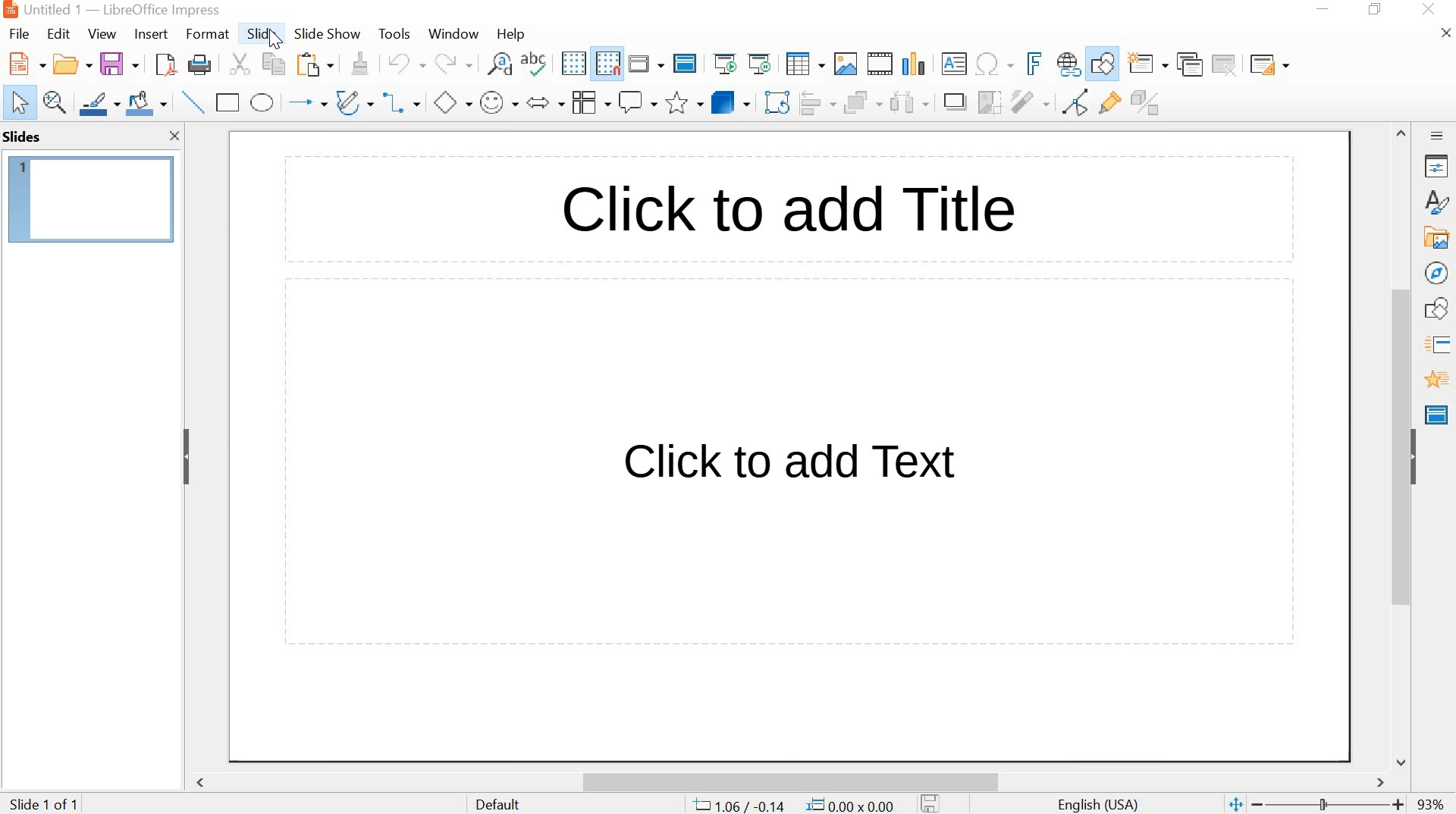  Describe the element at coordinates (55, 103) in the screenshot. I see `Zoom & Pan` at that location.